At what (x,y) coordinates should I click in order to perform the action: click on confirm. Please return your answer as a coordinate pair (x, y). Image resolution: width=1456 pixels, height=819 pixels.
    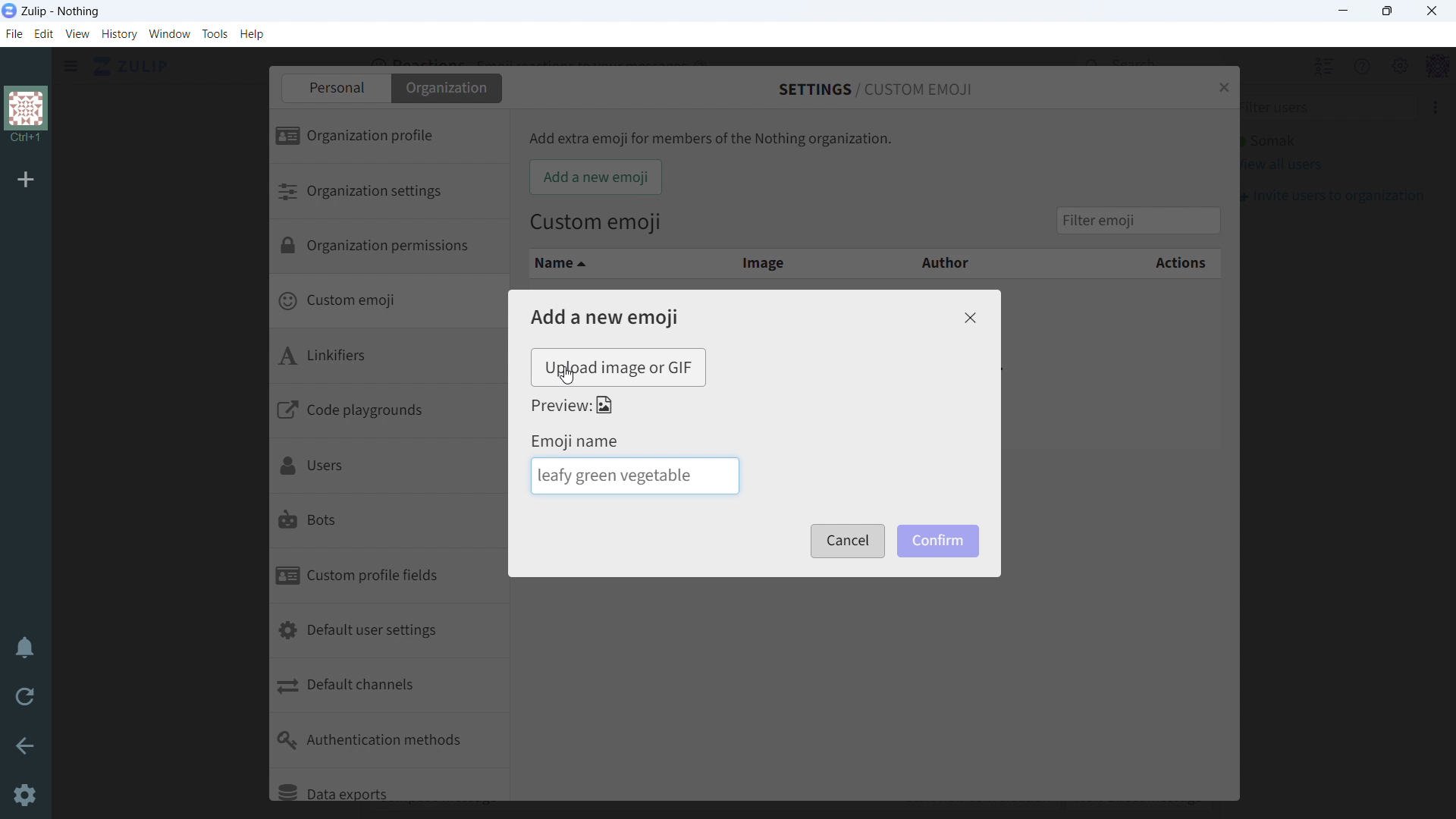
    Looking at the image, I should click on (937, 541).